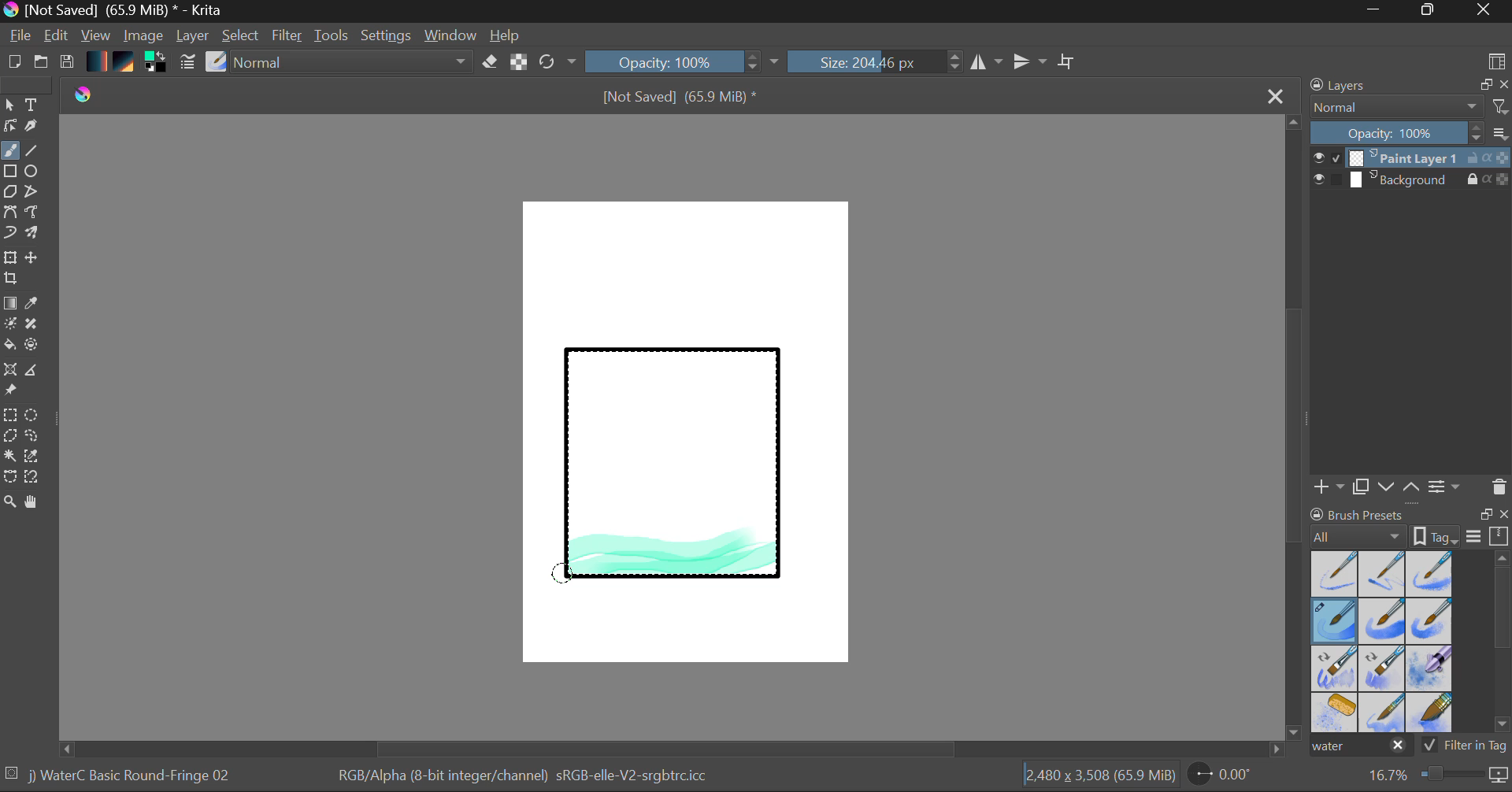 This screenshot has width=1512, height=792. What do you see at coordinates (1407, 83) in the screenshot?
I see `Layers Docket Tab` at bounding box center [1407, 83].